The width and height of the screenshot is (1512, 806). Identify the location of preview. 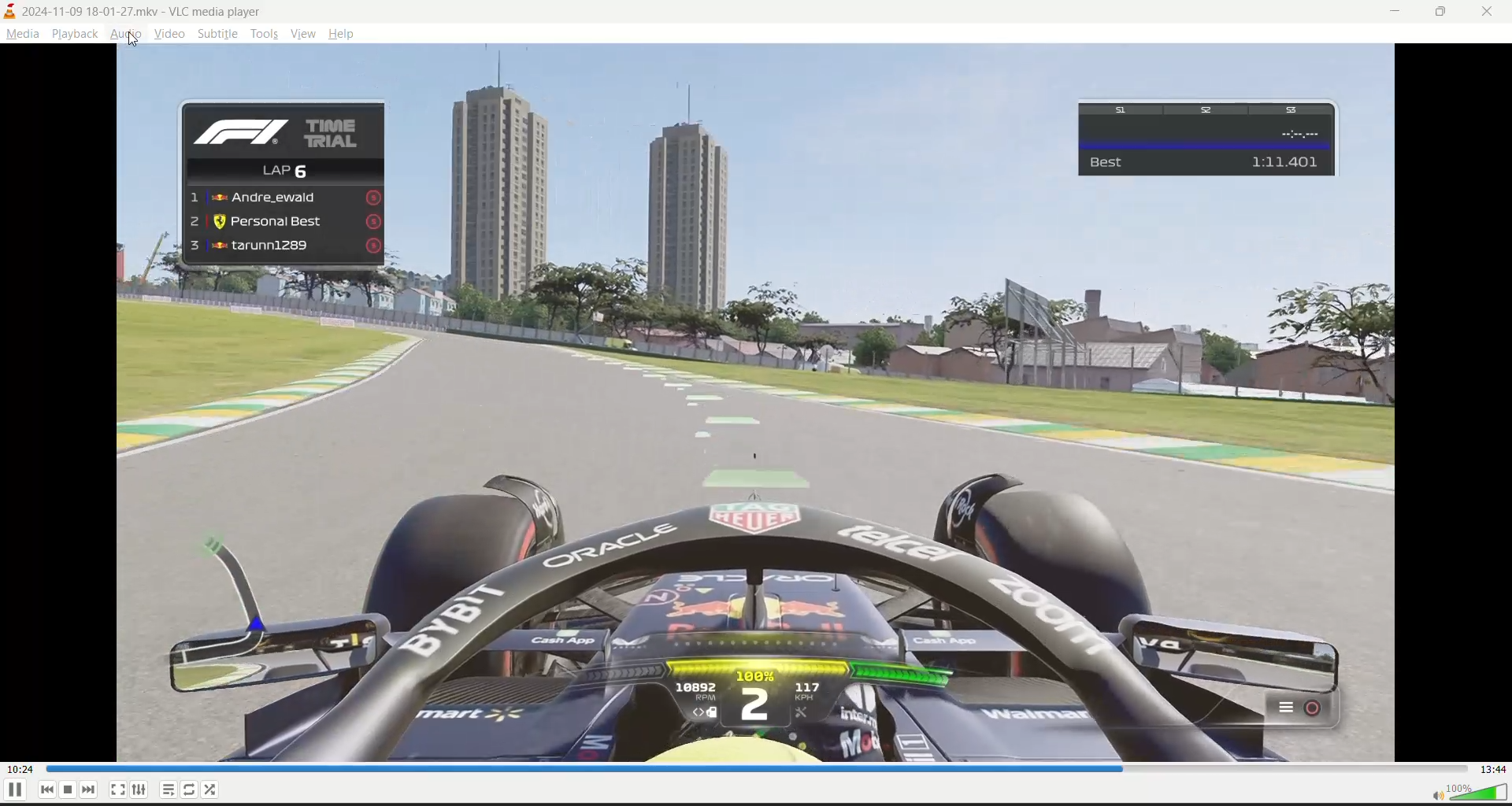
(254, 283).